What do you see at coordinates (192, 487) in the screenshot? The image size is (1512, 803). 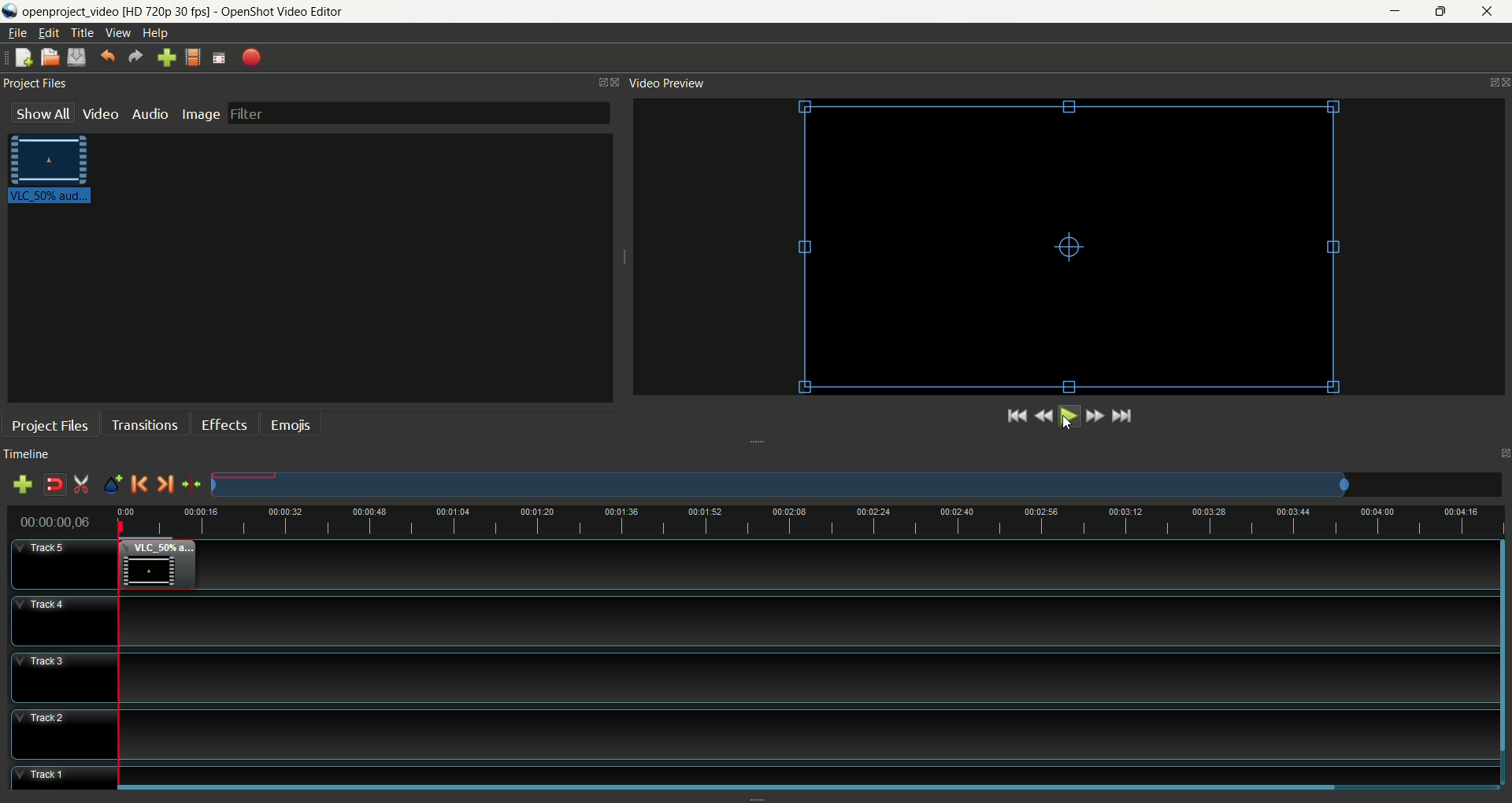 I see `center the timeline on the playhead` at bounding box center [192, 487].